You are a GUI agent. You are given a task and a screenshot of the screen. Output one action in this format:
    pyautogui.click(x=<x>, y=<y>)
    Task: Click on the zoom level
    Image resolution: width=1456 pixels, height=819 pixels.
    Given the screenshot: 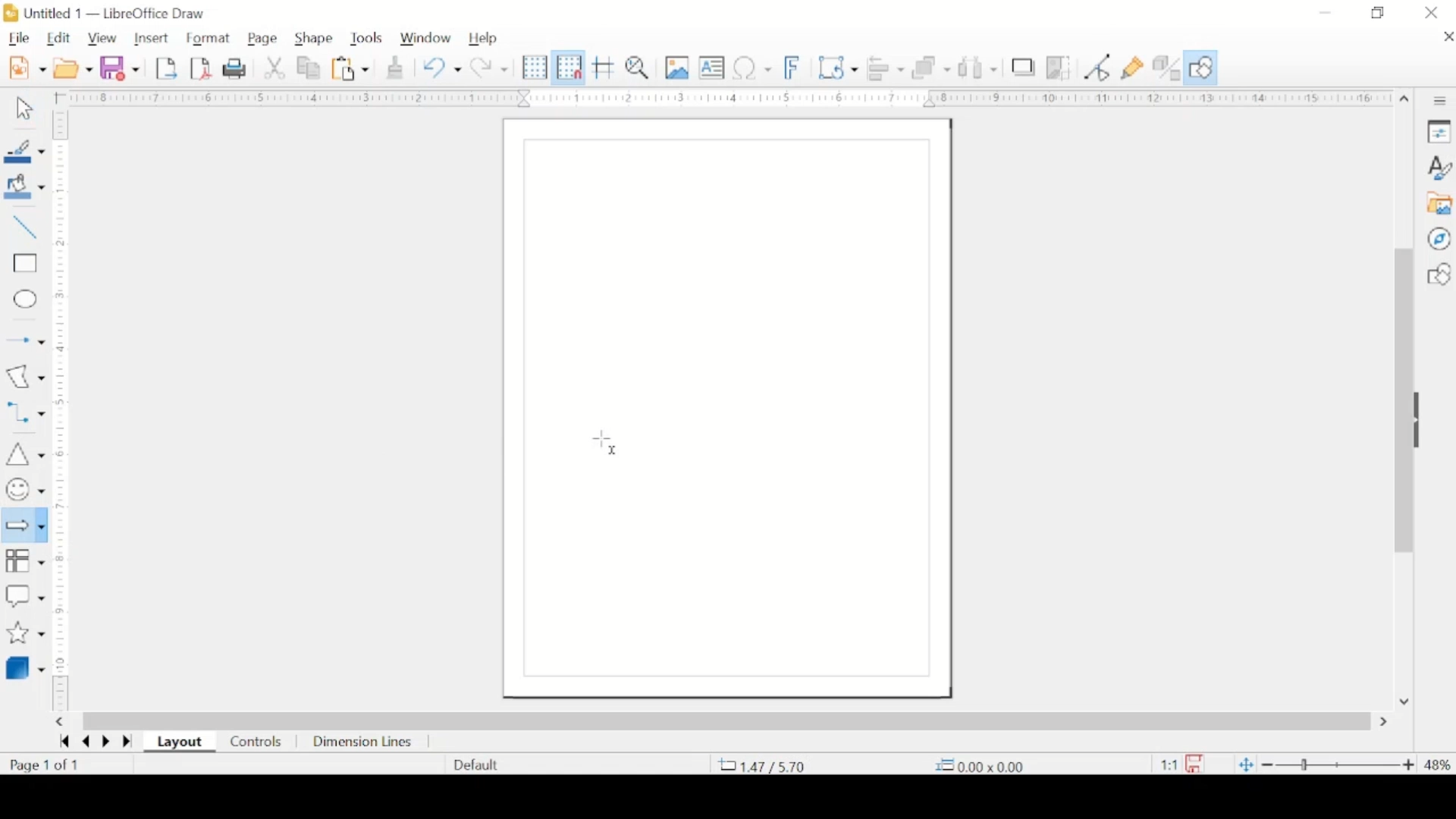 What is the action you would take?
    pyautogui.click(x=1438, y=766)
    